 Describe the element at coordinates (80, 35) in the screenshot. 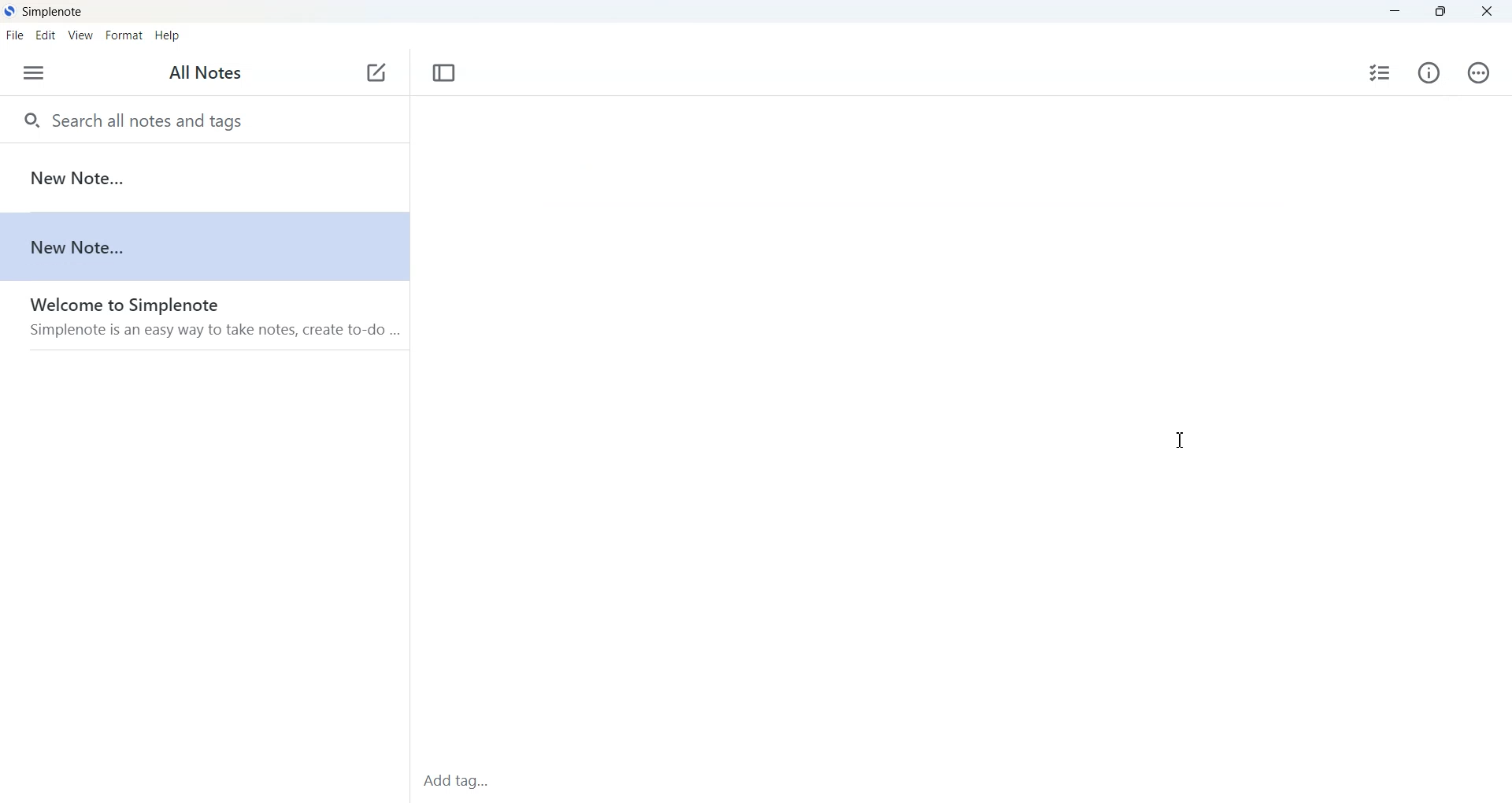

I see `View` at that location.